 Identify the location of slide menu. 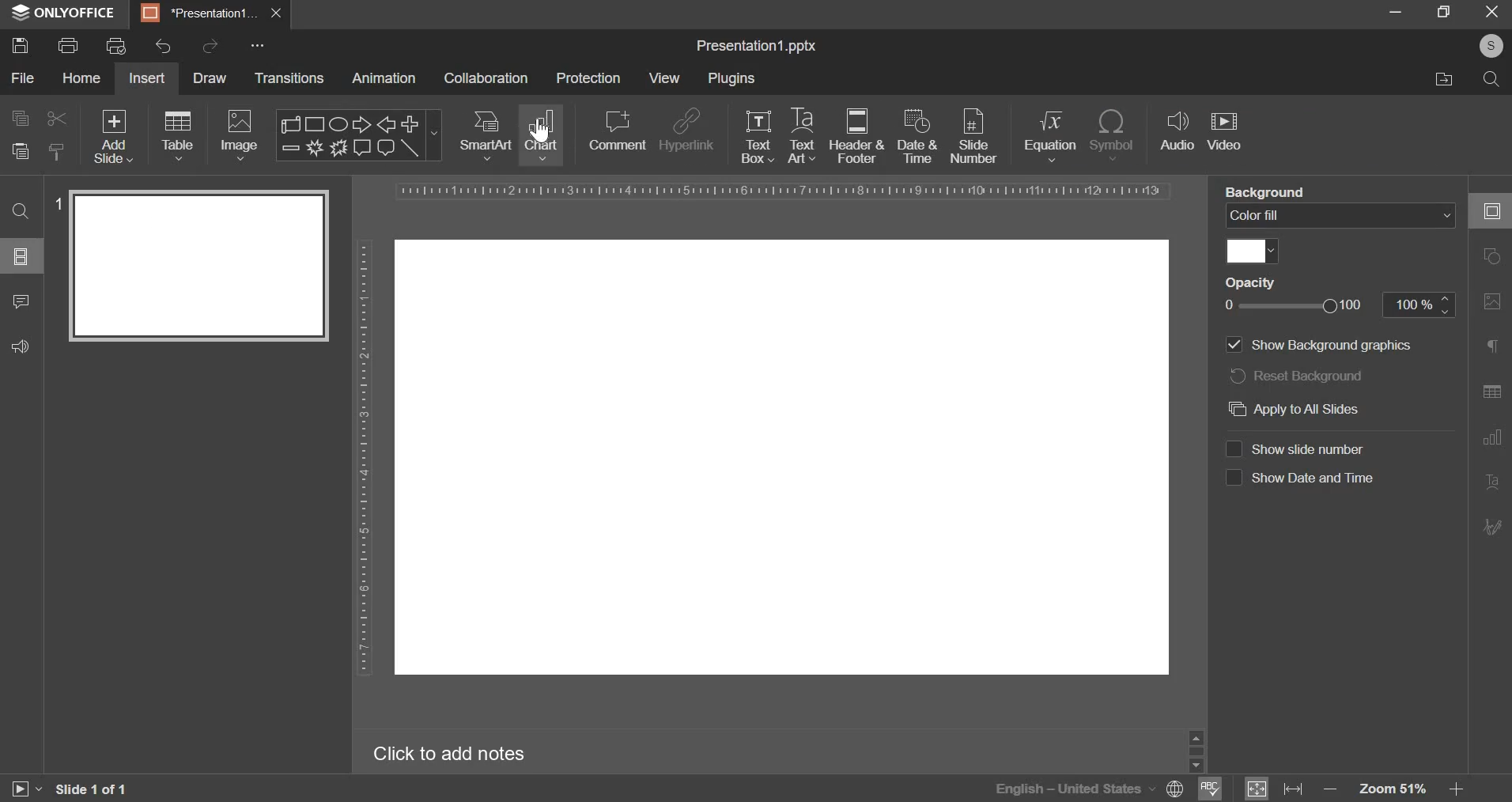
(20, 256).